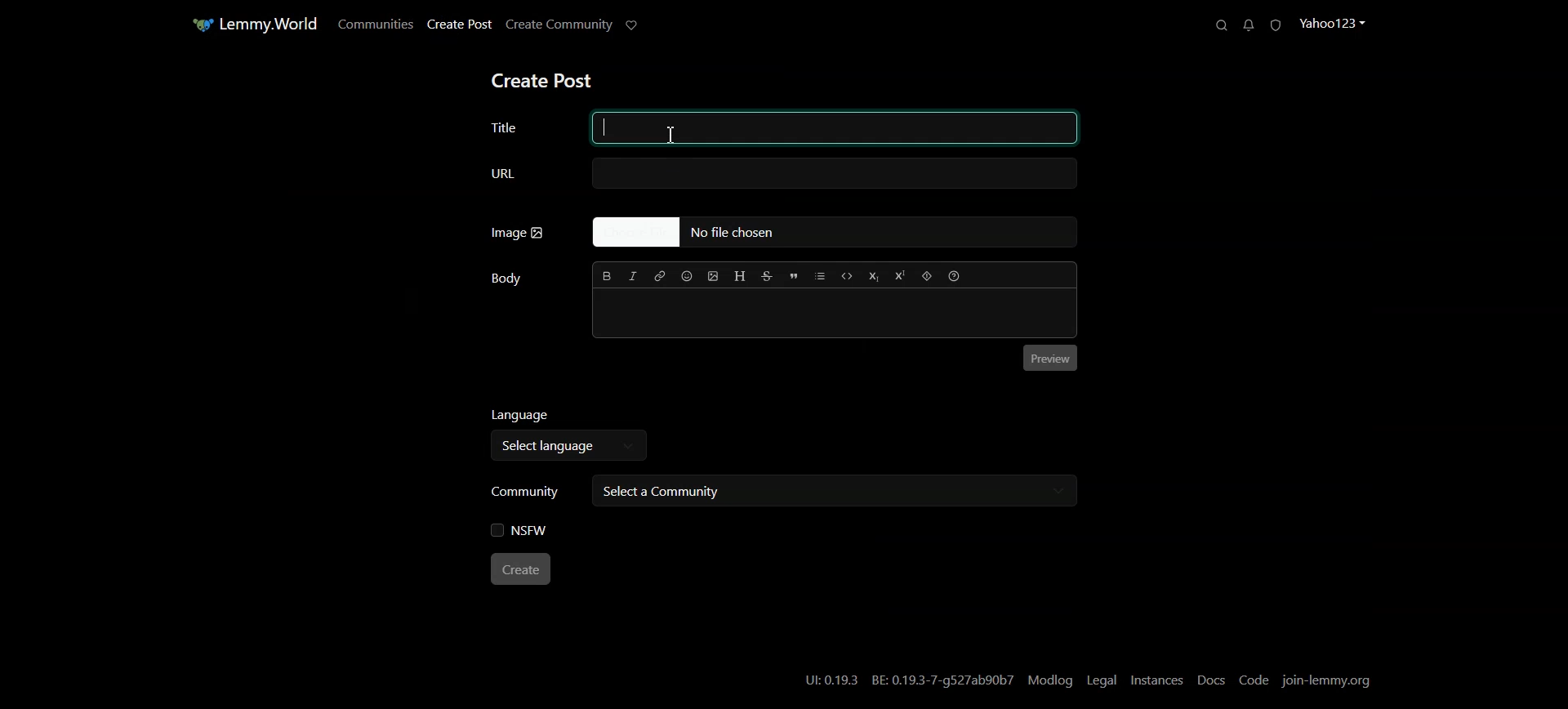  What do you see at coordinates (571, 417) in the screenshot?
I see `Language` at bounding box center [571, 417].